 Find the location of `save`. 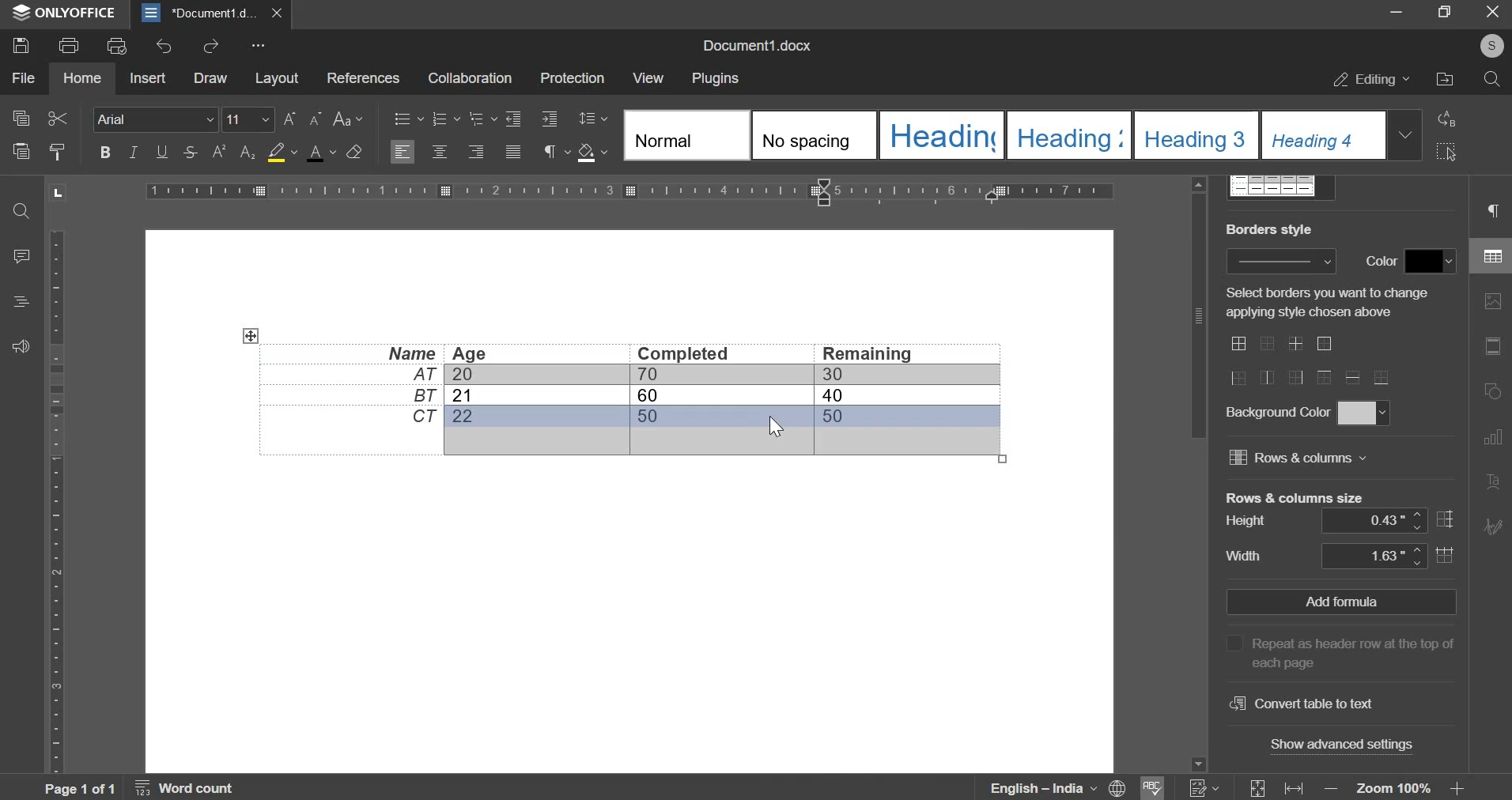

save is located at coordinates (20, 44).